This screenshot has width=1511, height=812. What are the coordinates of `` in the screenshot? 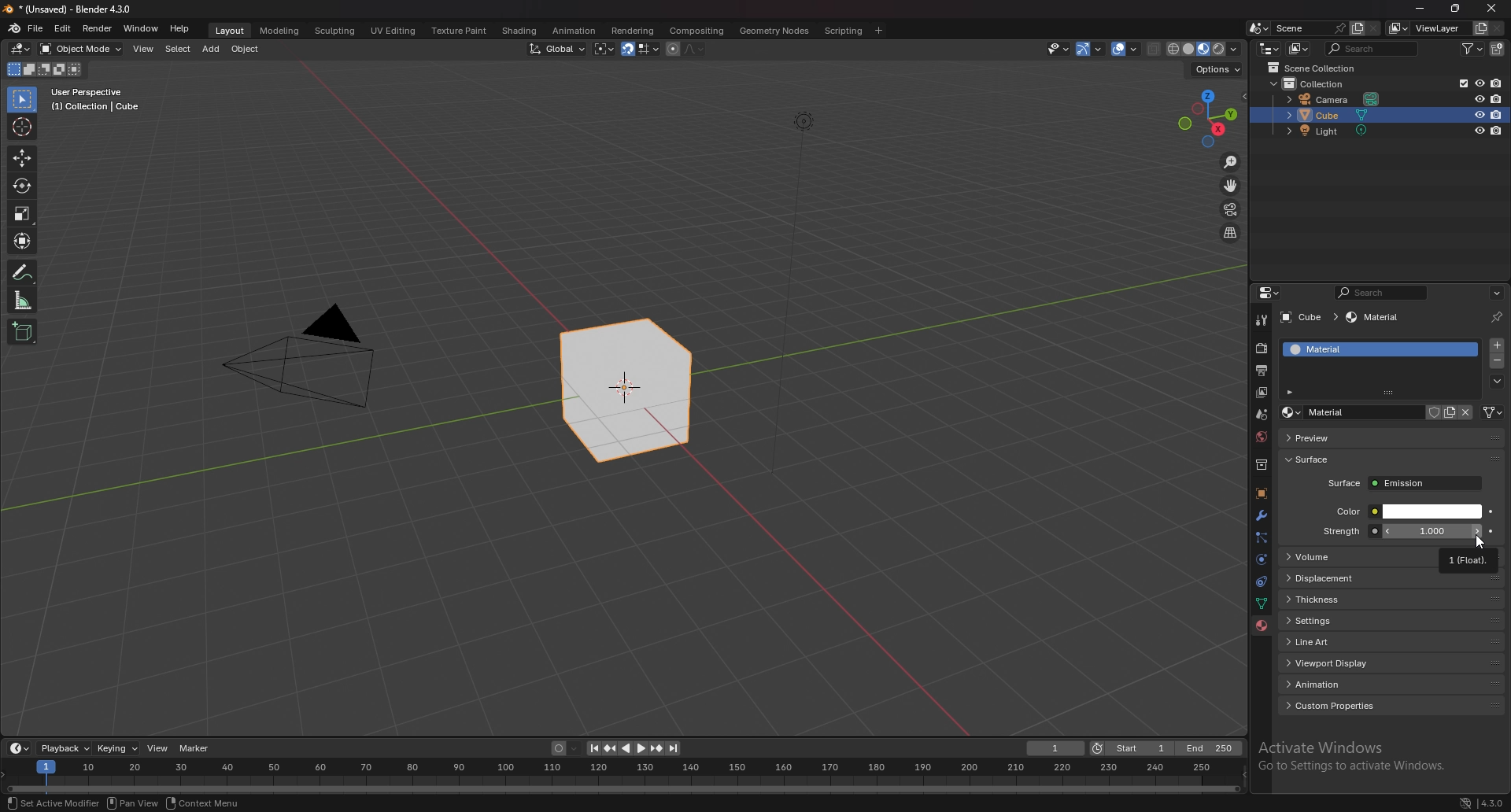 It's located at (1454, 802).